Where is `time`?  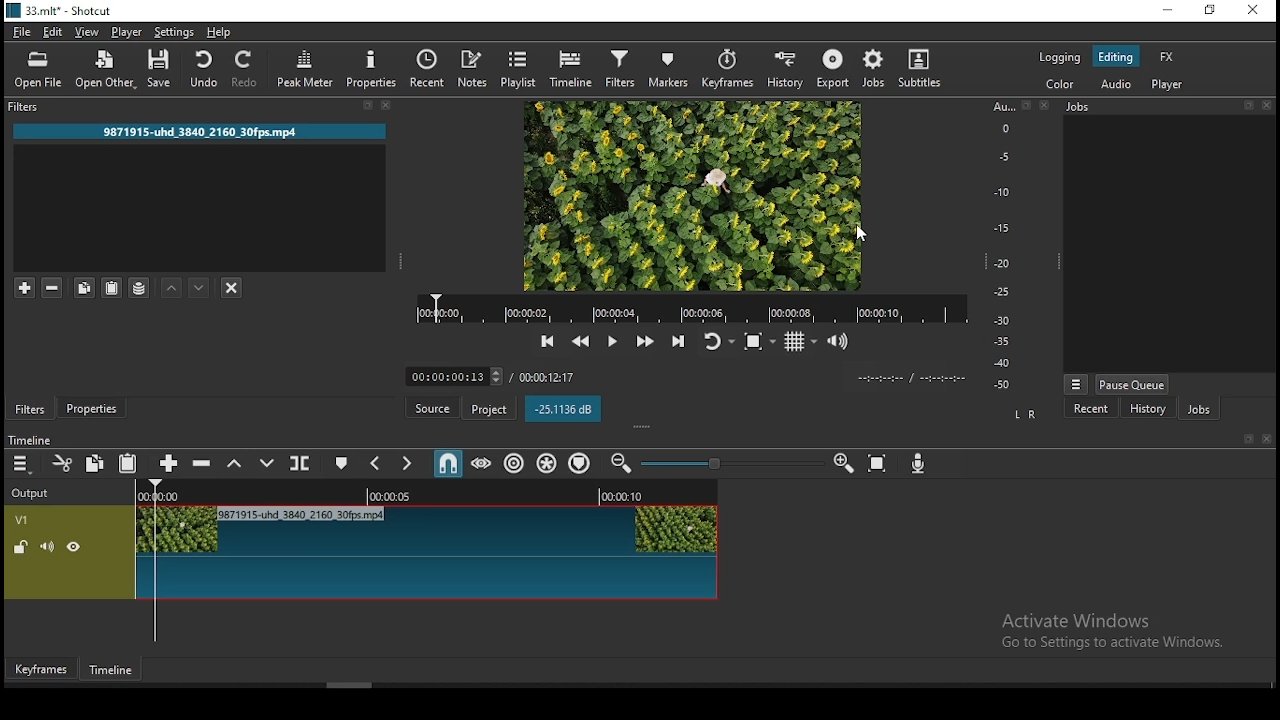 time is located at coordinates (920, 377).